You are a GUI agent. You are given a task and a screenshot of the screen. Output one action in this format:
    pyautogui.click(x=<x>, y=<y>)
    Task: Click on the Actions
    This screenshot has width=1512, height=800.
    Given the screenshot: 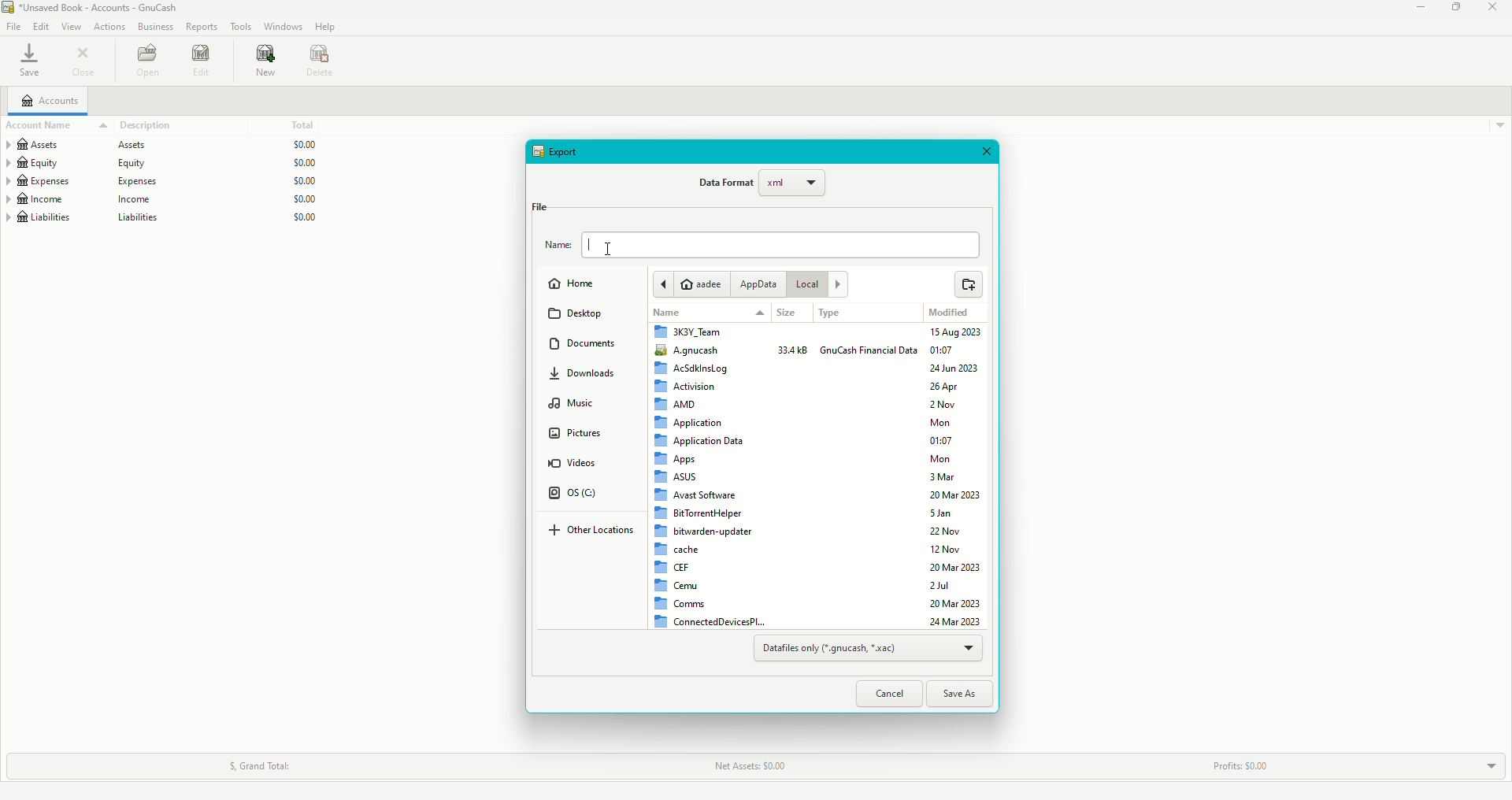 What is the action you would take?
    pyautogui.click(x=108, y=28)
    